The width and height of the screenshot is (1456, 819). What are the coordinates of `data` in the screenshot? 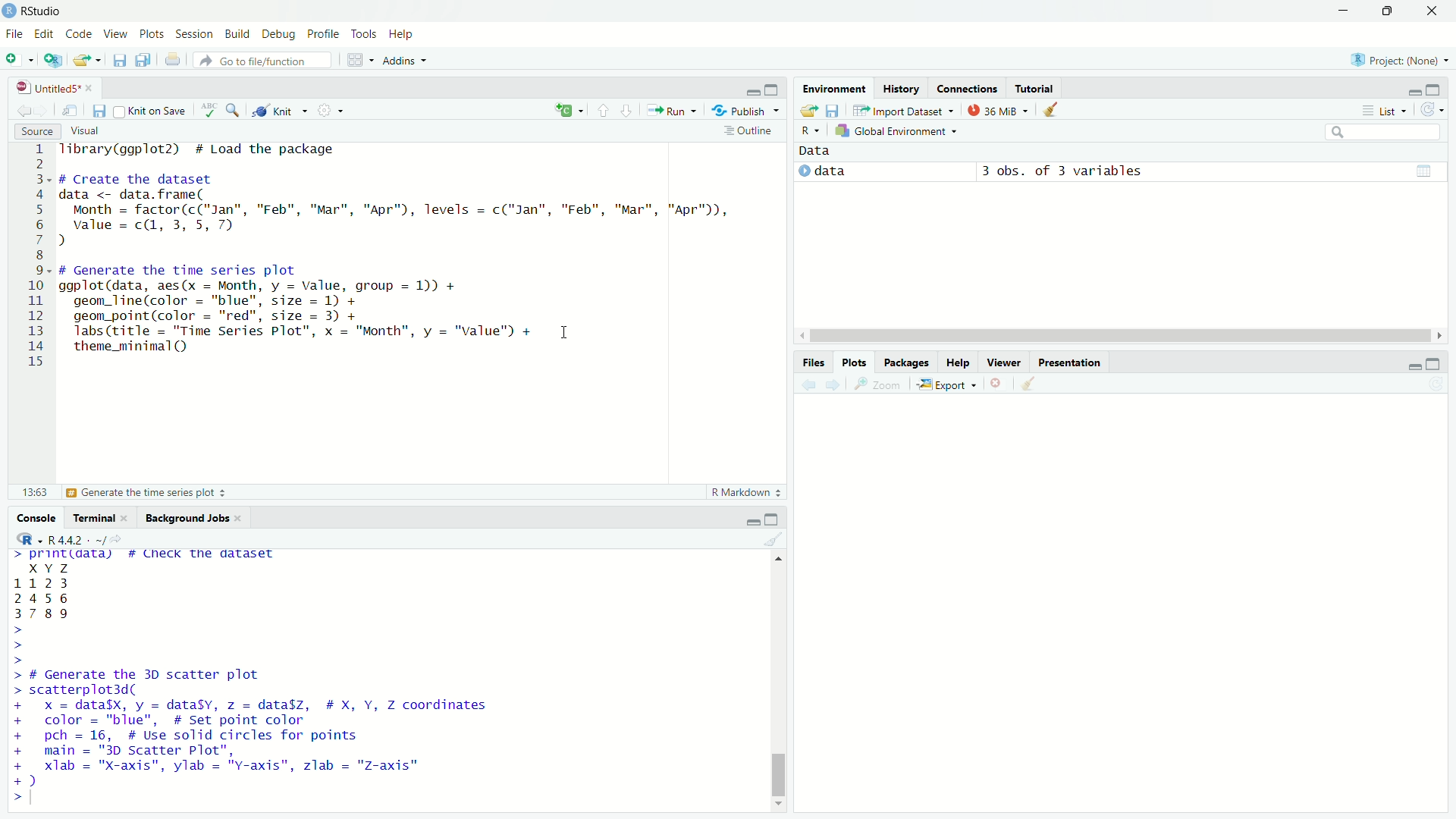 It's located at (831, 172).